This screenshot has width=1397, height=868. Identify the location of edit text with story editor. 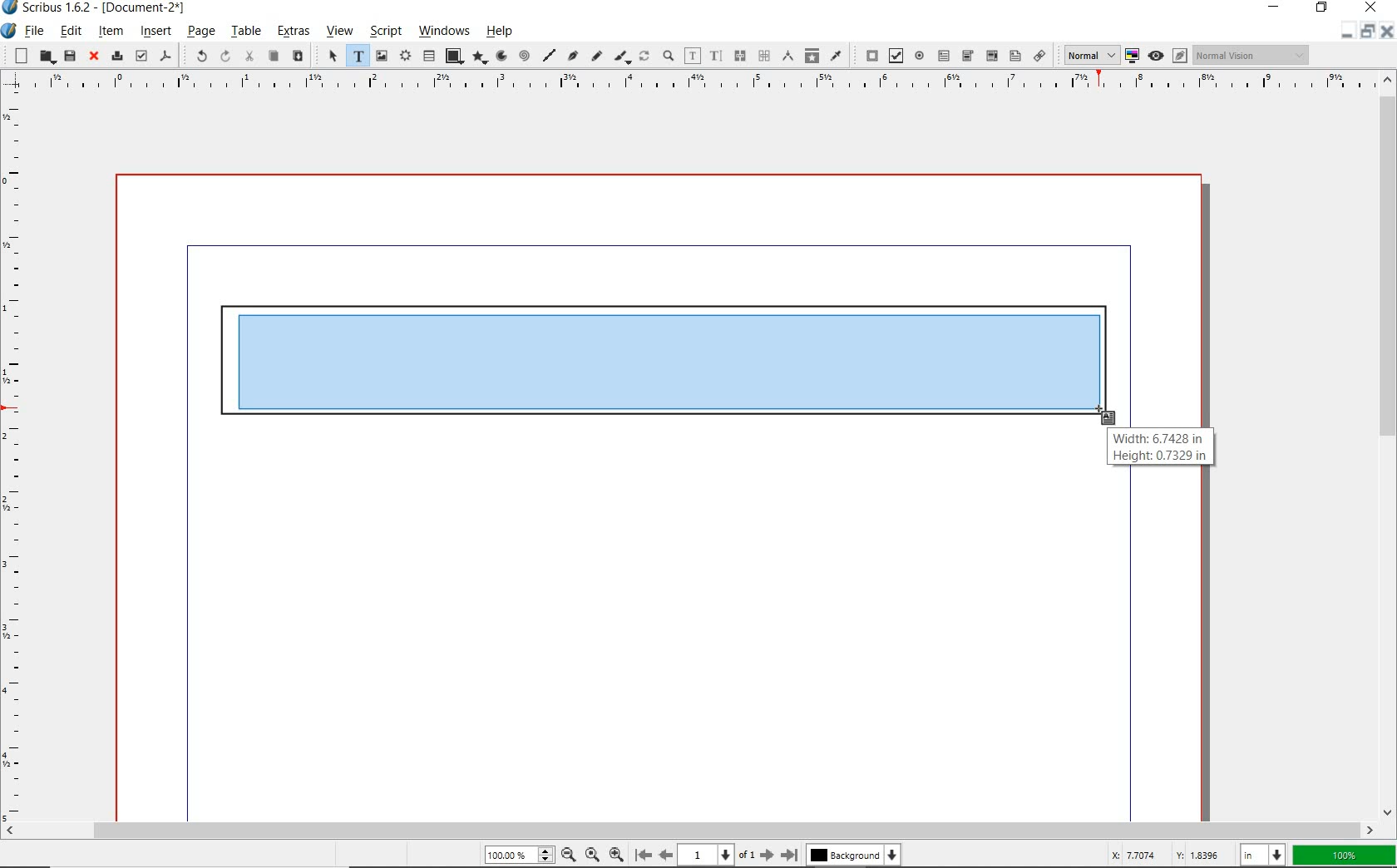
(716, 57).